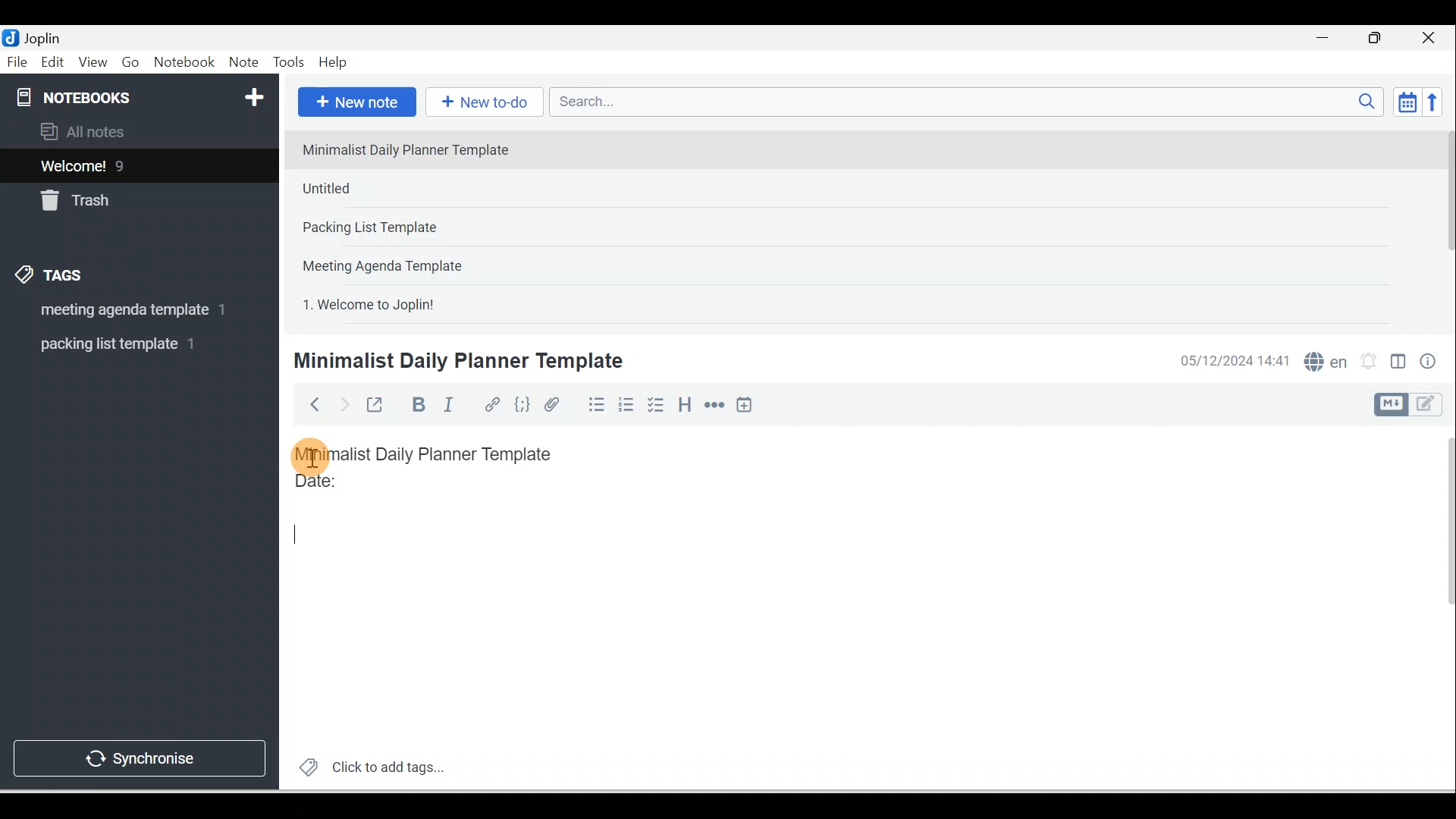  I want to click on Reverse sort, so click(1437, 102).